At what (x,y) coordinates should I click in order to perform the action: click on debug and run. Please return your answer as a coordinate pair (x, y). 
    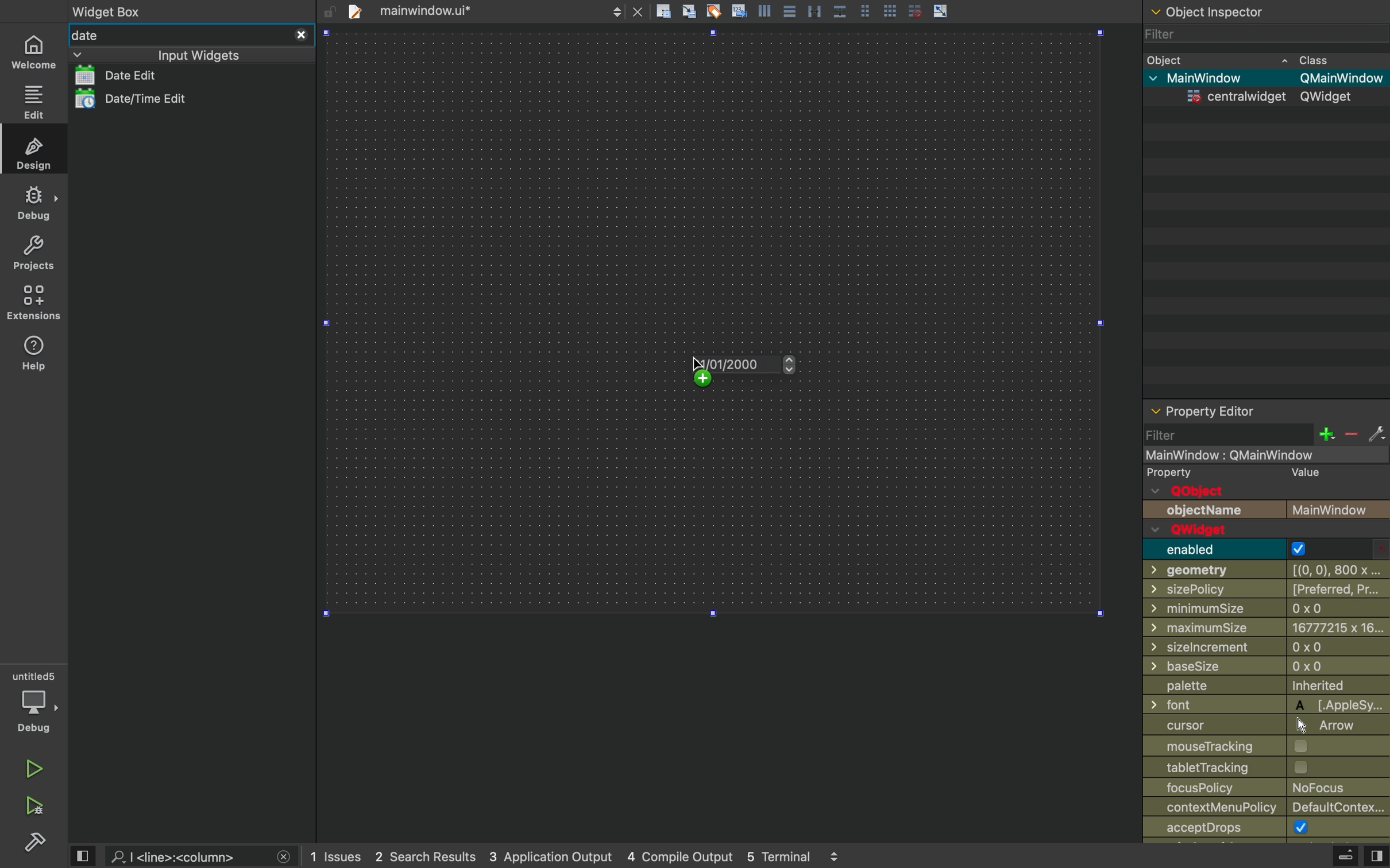
    Looking at the image, I should click on (37, 805).